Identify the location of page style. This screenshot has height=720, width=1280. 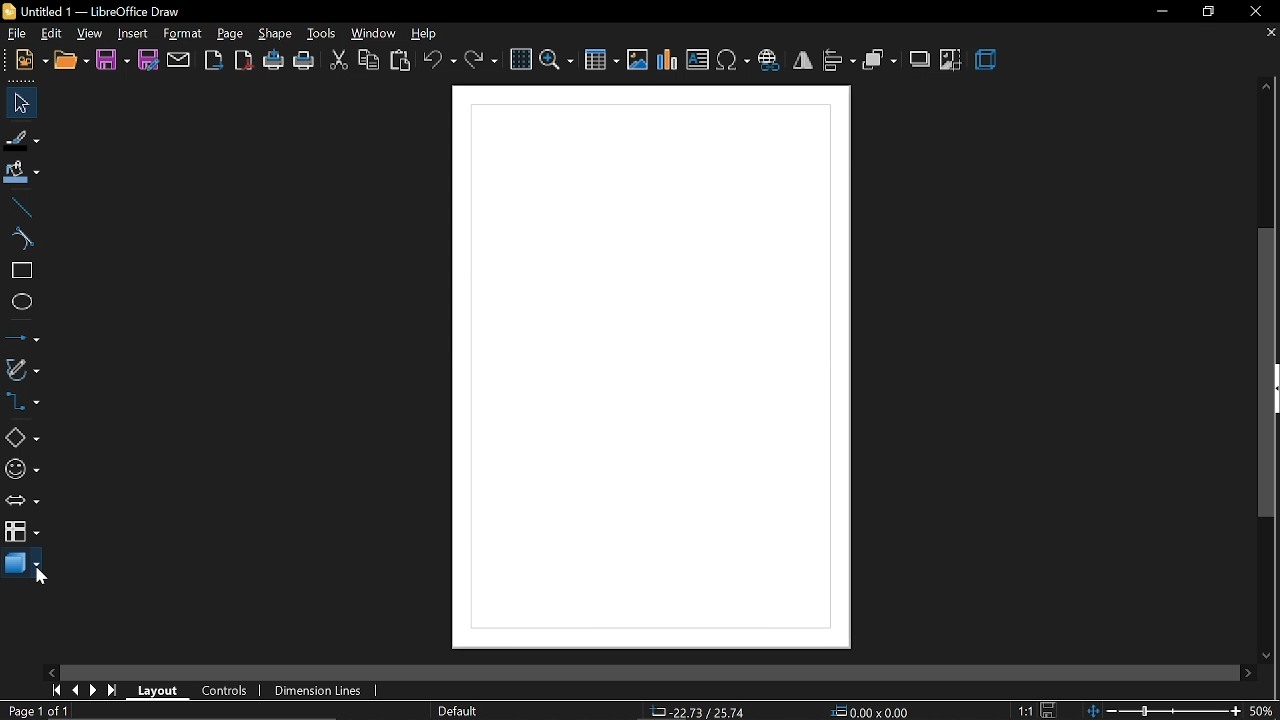
(458, 711).